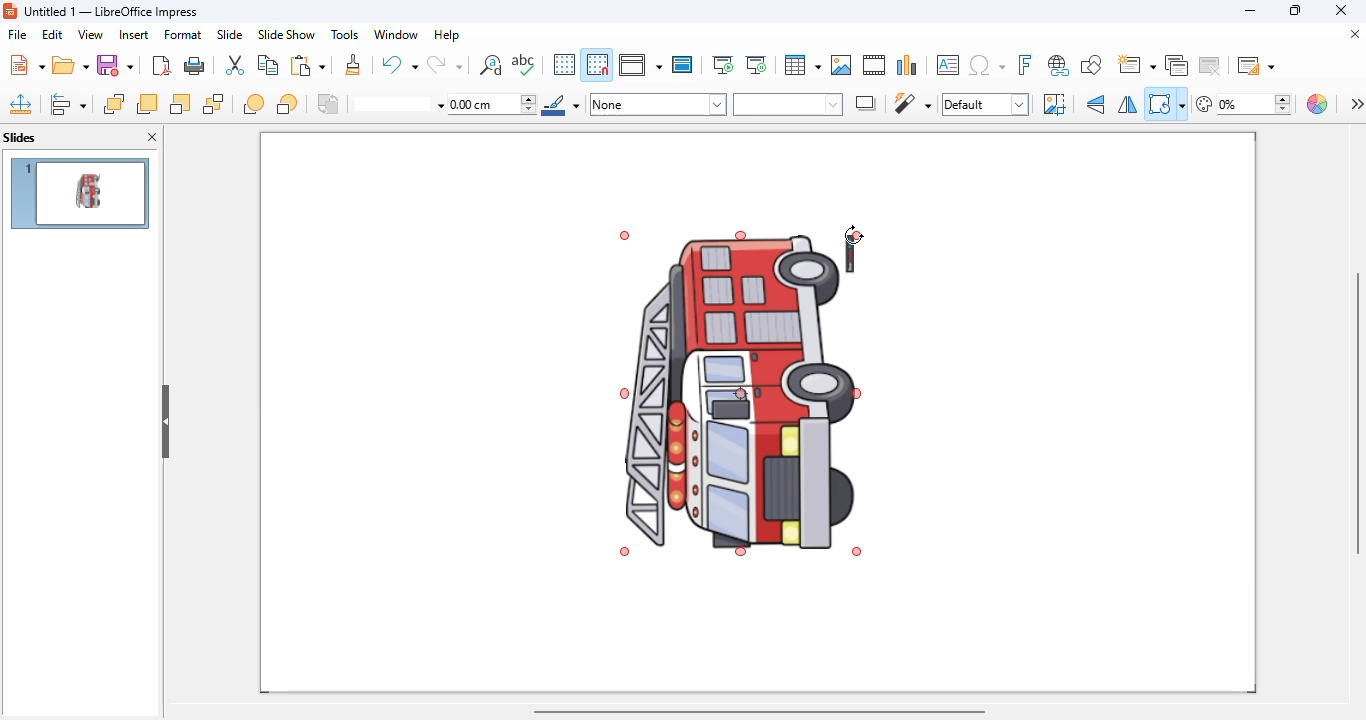 This screenshot has height=720, width=1366. I want to click on reverse, so click(329, 104).